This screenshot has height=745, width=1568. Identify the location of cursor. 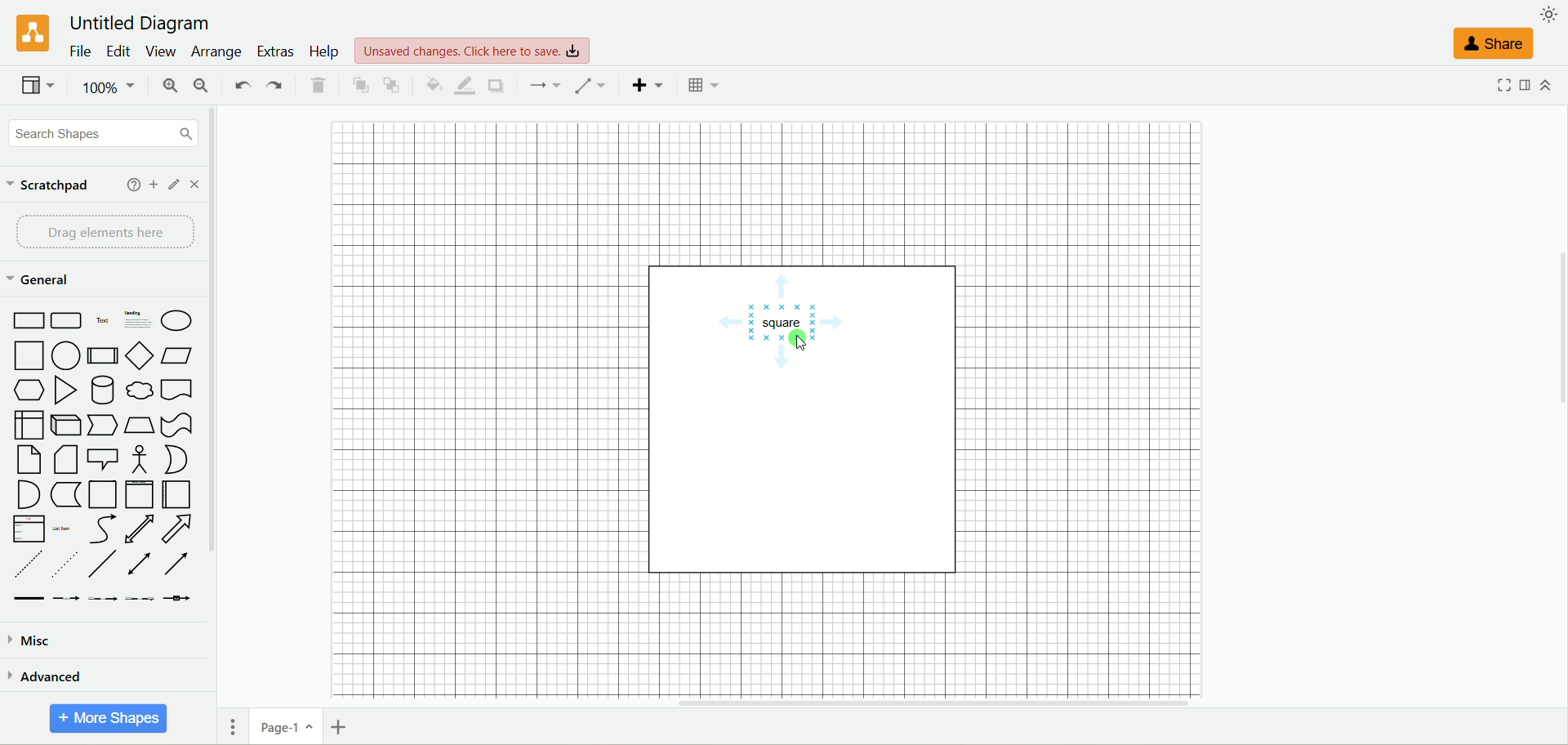
(802, 343).